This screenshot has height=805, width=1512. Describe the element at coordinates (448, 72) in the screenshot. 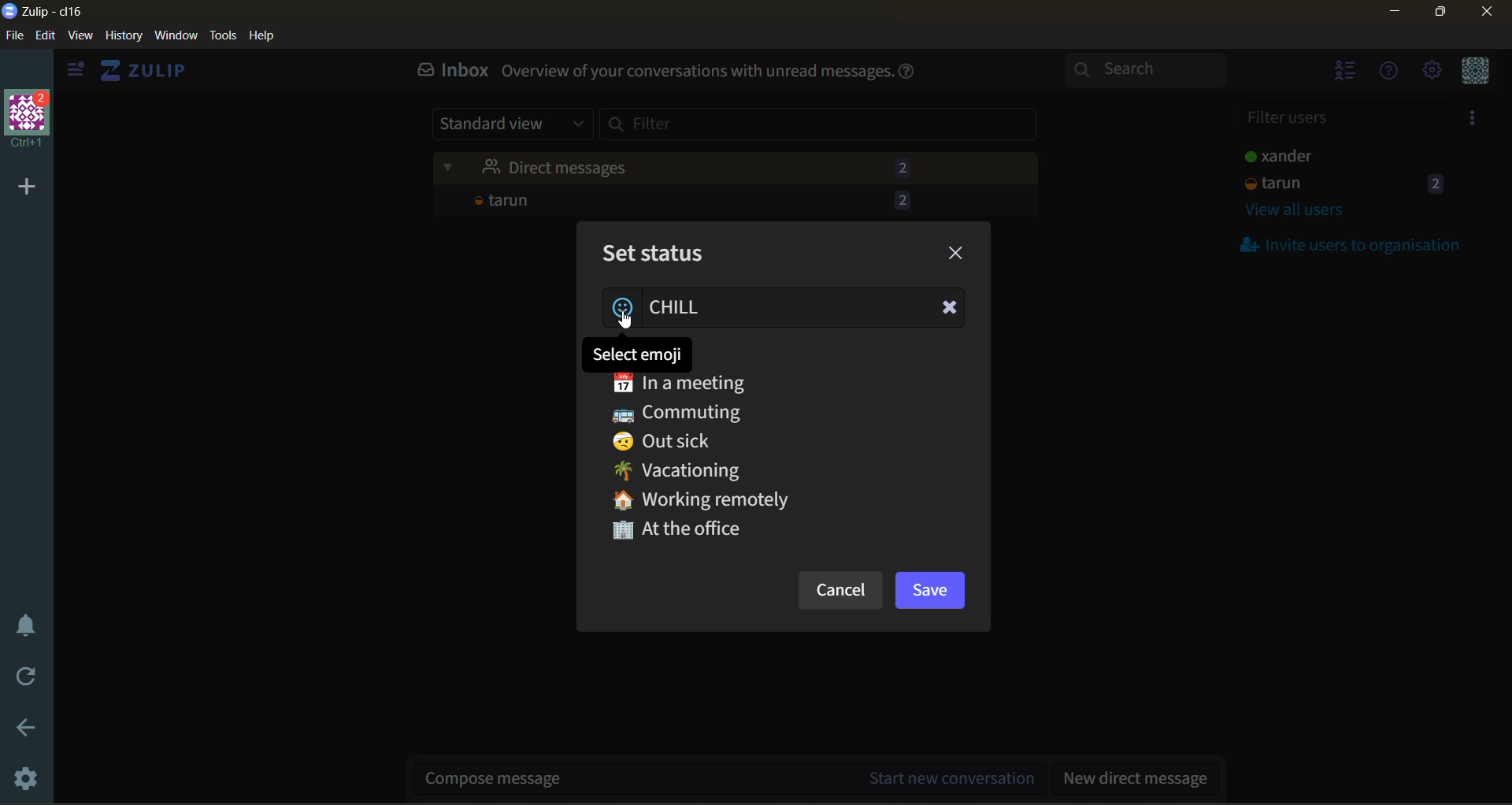

I see `inbox` at that location.